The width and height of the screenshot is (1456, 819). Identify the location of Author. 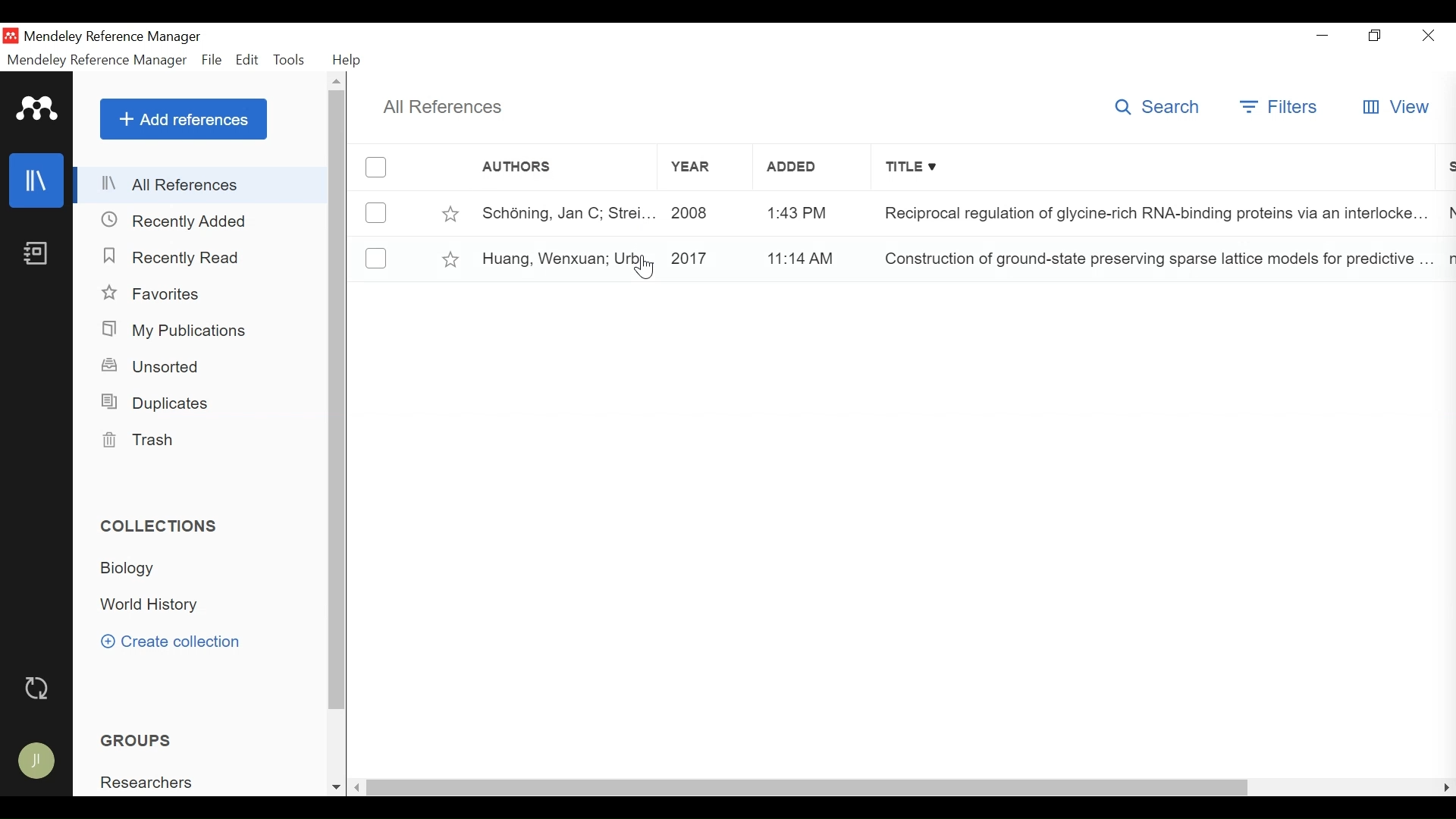
(562, 212).